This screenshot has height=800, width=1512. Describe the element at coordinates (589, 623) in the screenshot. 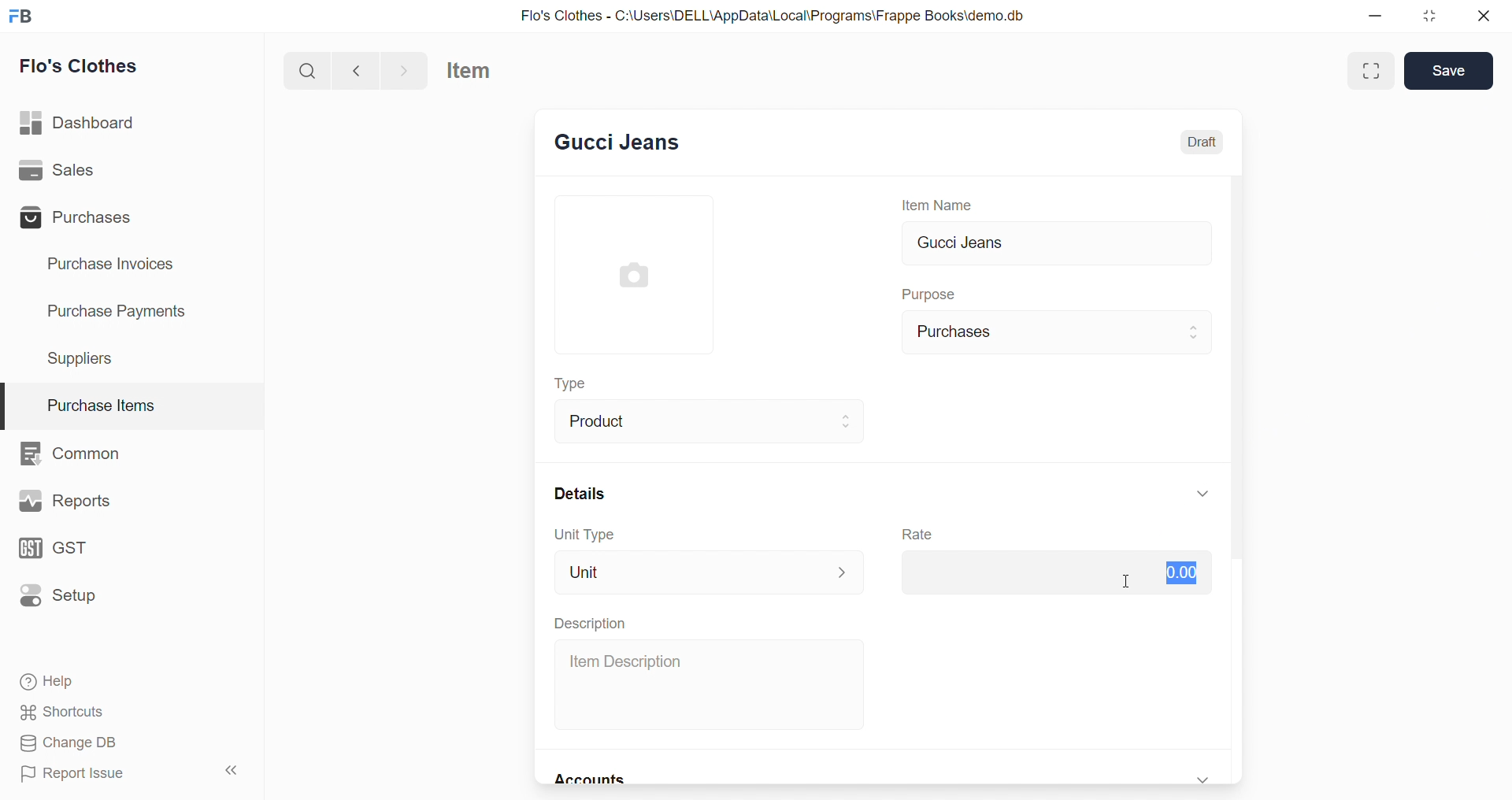

I see `Description` at that location.